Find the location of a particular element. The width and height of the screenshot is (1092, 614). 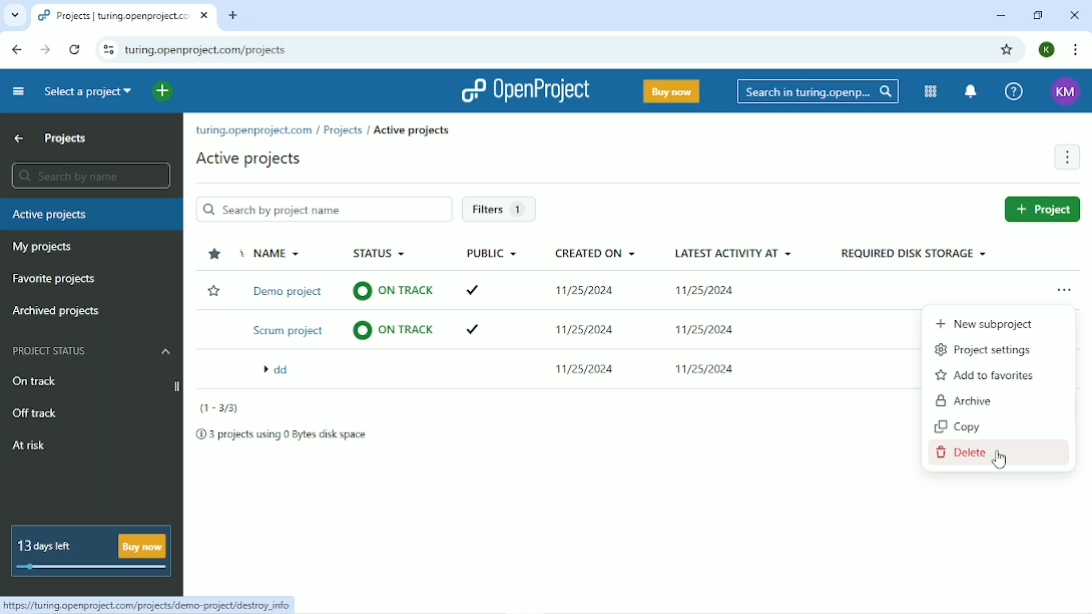

ticked is located at coordinates (470, 330).